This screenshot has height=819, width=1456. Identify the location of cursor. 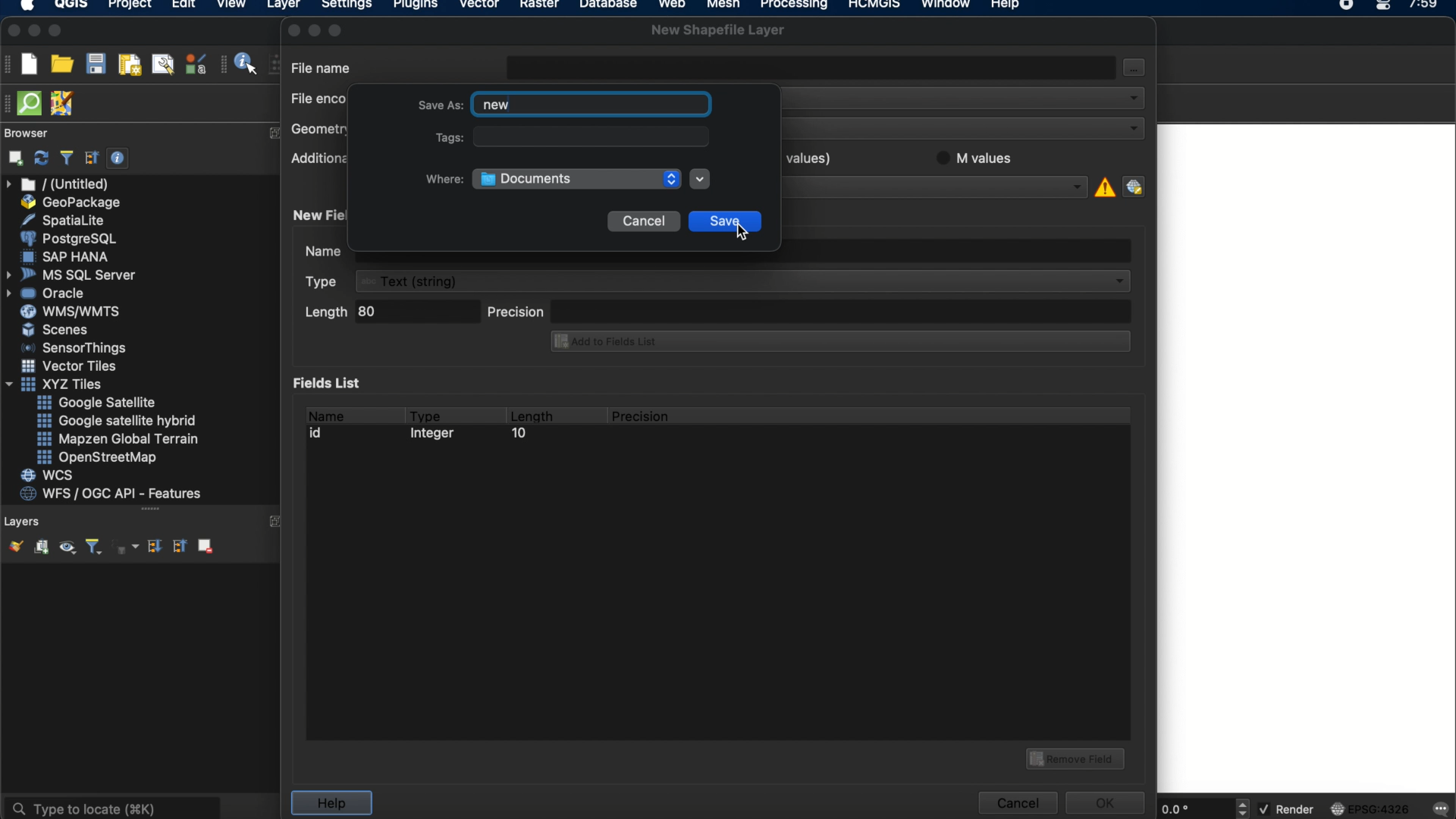
(739, 229).